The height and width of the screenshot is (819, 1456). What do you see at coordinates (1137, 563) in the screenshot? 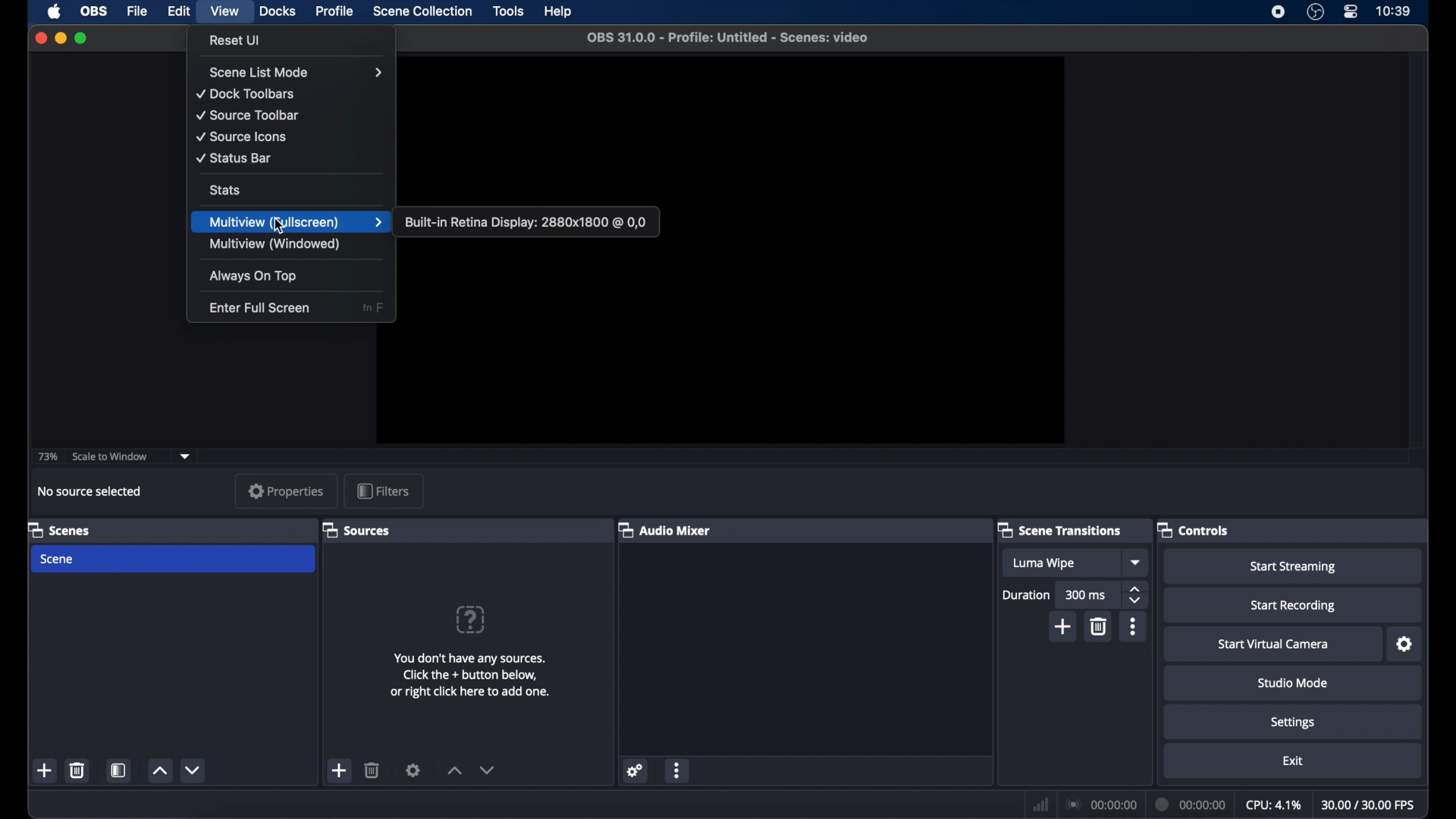
I see `dropdown` at bounding box center [1137, 563].